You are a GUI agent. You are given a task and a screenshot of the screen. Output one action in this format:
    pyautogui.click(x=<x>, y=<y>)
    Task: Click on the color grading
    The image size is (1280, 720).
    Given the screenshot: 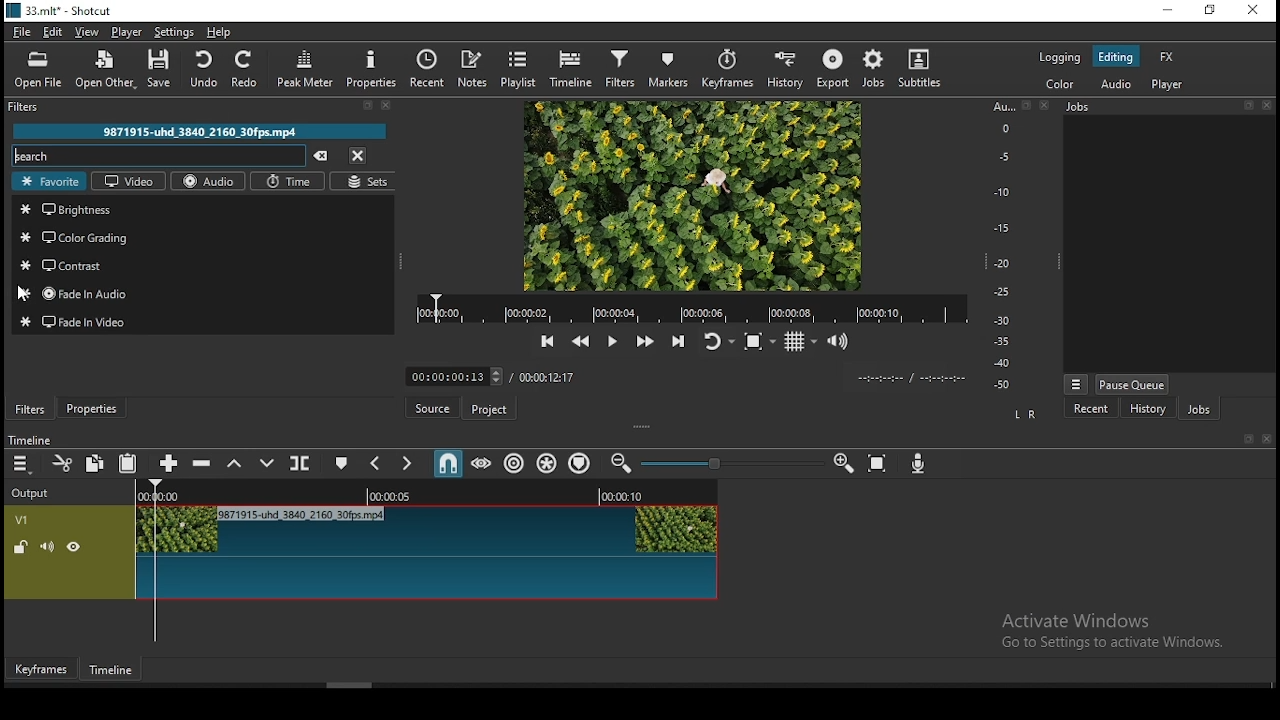 What is the action you would take?
    pyautogui.click(x=204, y=237)
    